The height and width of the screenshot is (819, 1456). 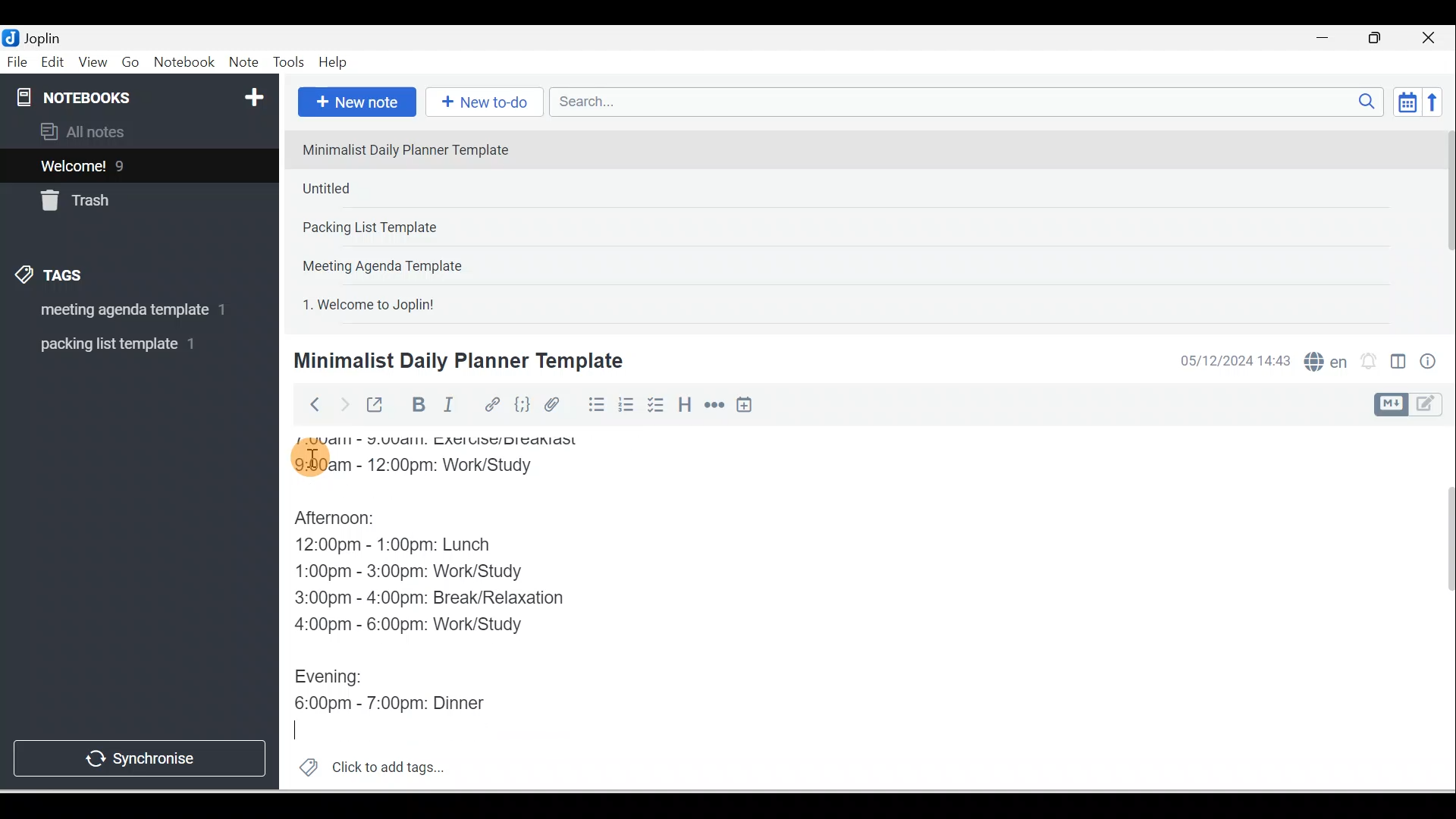 I want to click on 4:00pm - 6:00pm: Work/Study, so click(x=413, y=626).